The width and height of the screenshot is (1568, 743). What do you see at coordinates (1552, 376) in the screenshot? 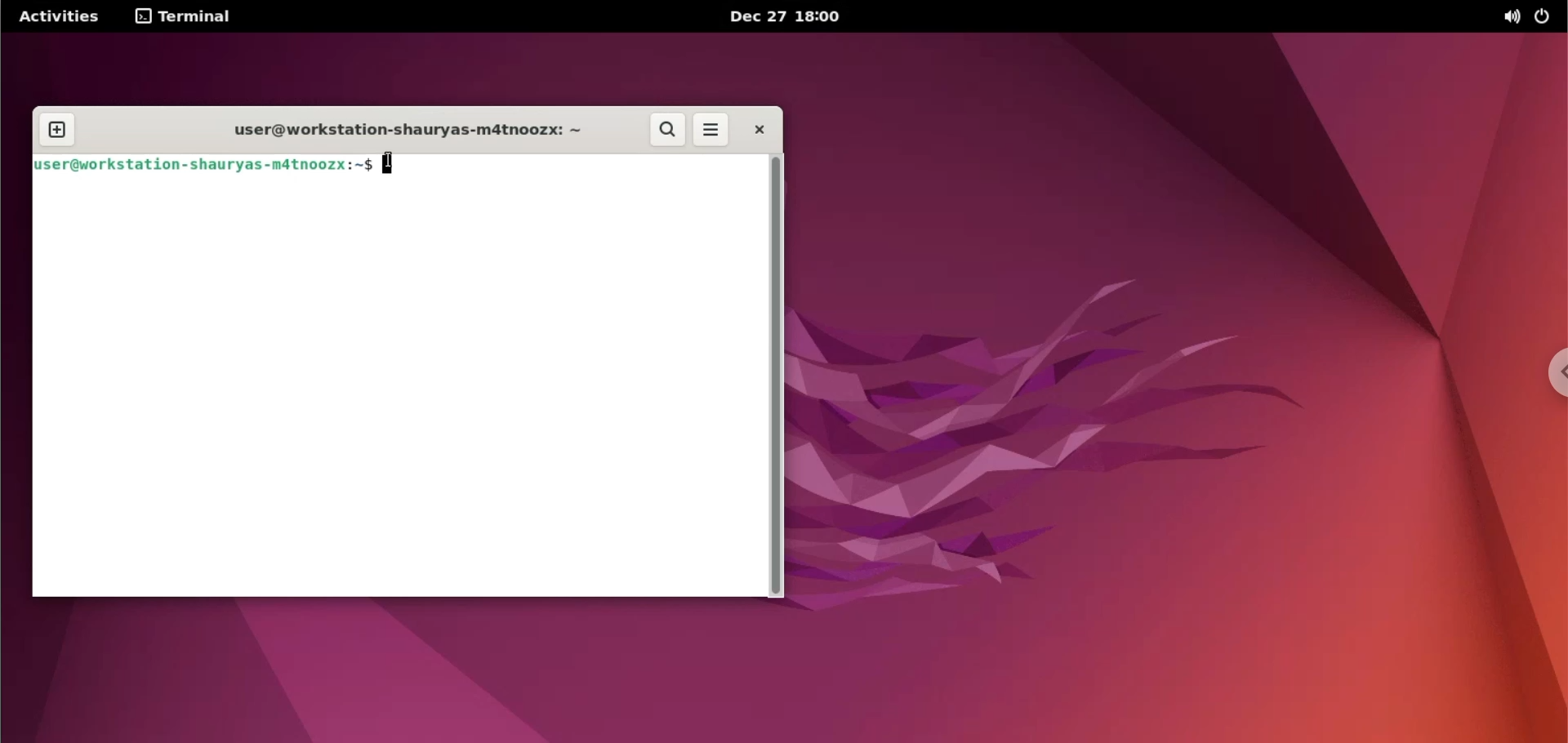
I see `chrome options` at bounding box center [1552, 376].